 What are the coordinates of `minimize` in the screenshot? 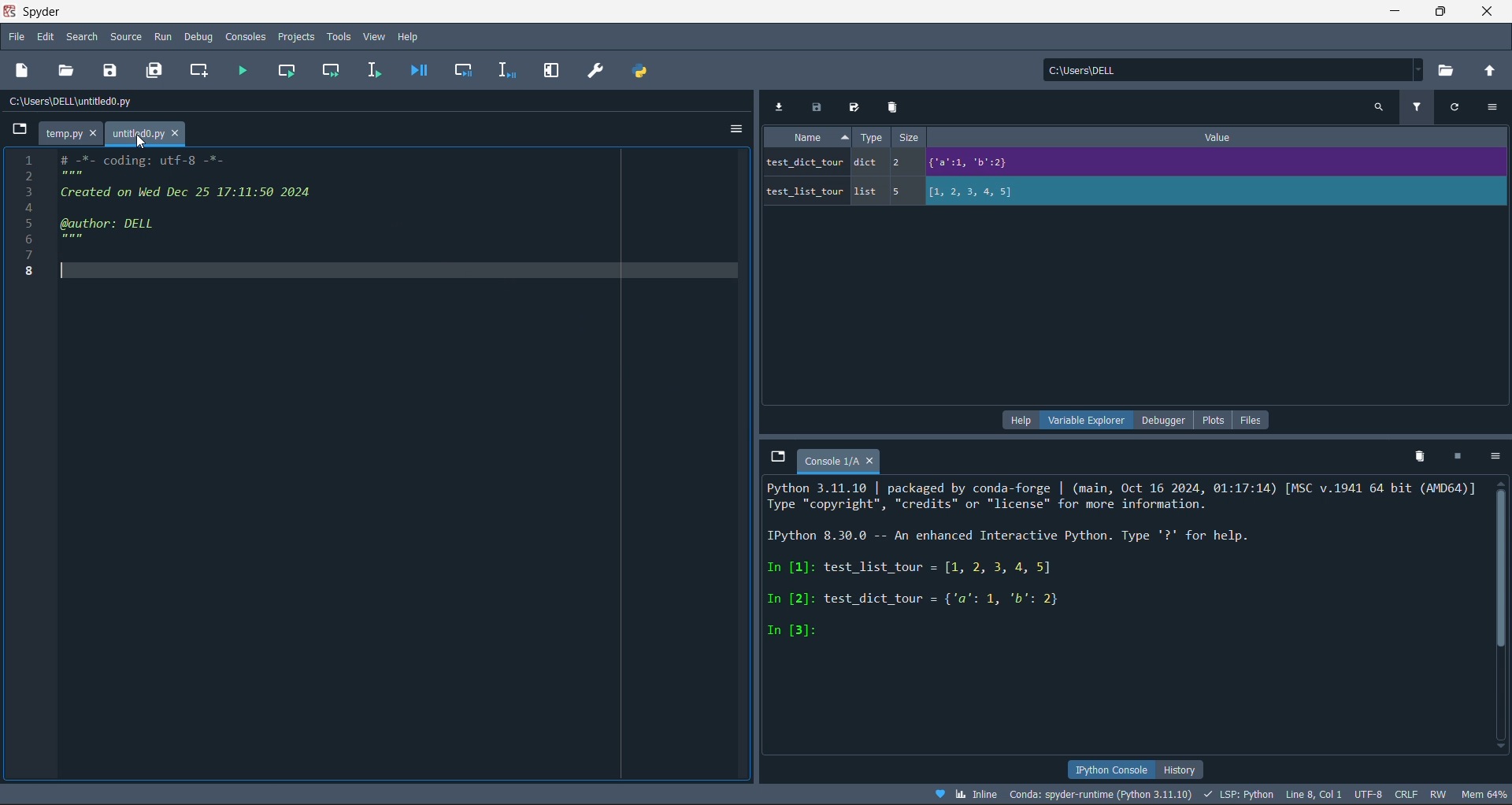 It's located at (1397, 13).